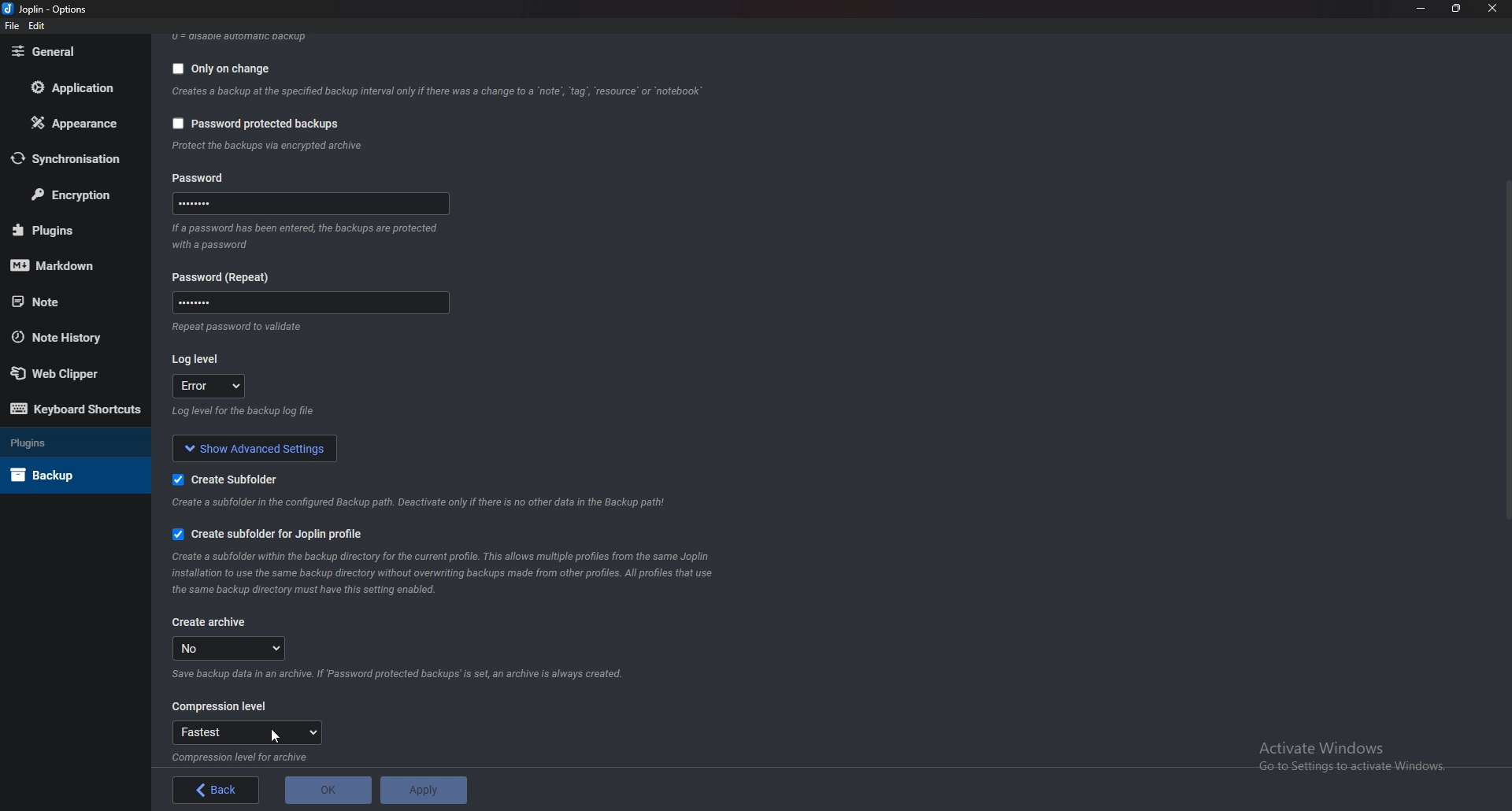  What do you see at coordinates (198, 360) in the screenshot?
I see `Log level` at bounding box center [198, 360].